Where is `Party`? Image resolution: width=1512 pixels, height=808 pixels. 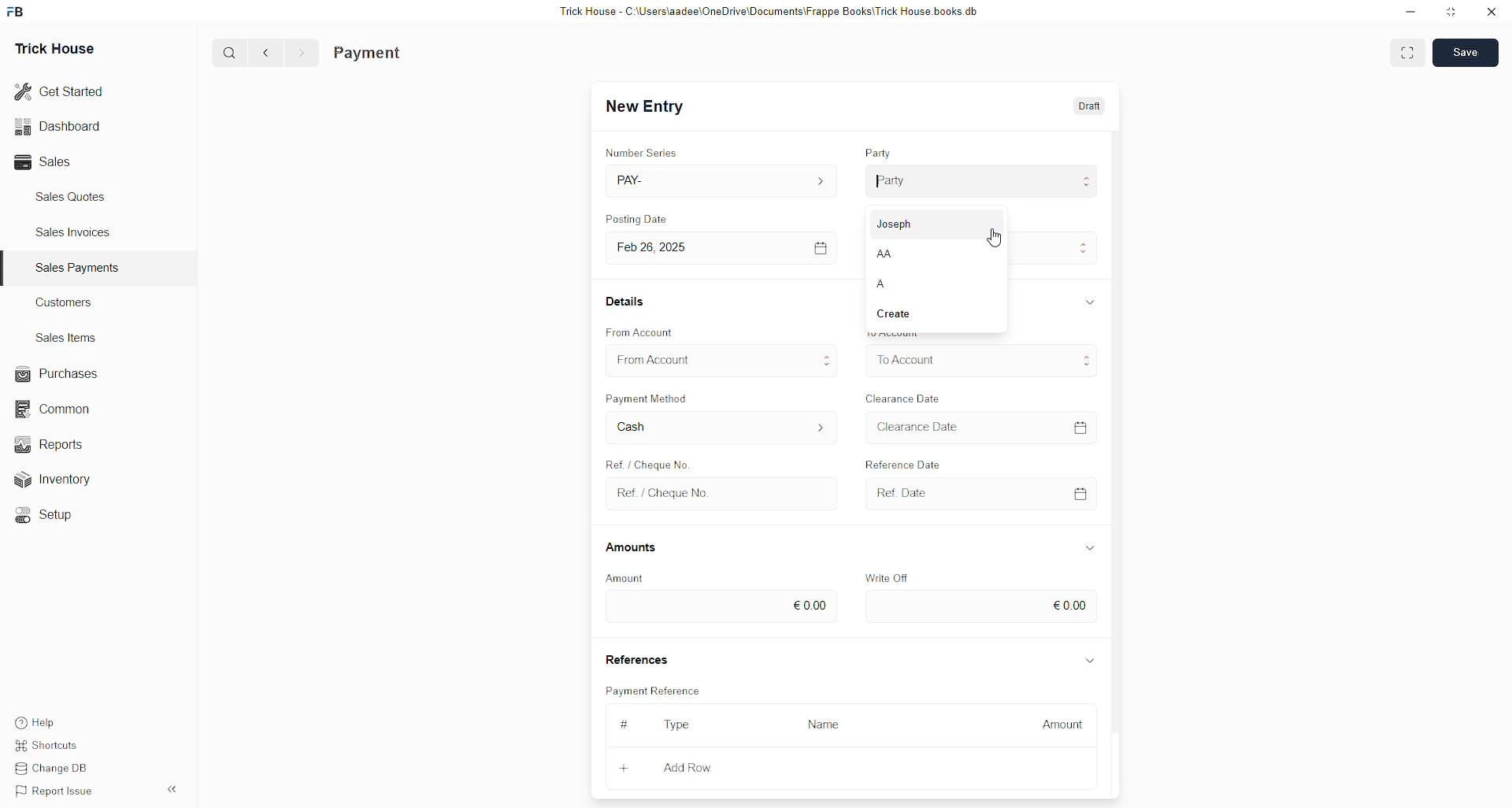
Party is located at coordinates (984, 181).